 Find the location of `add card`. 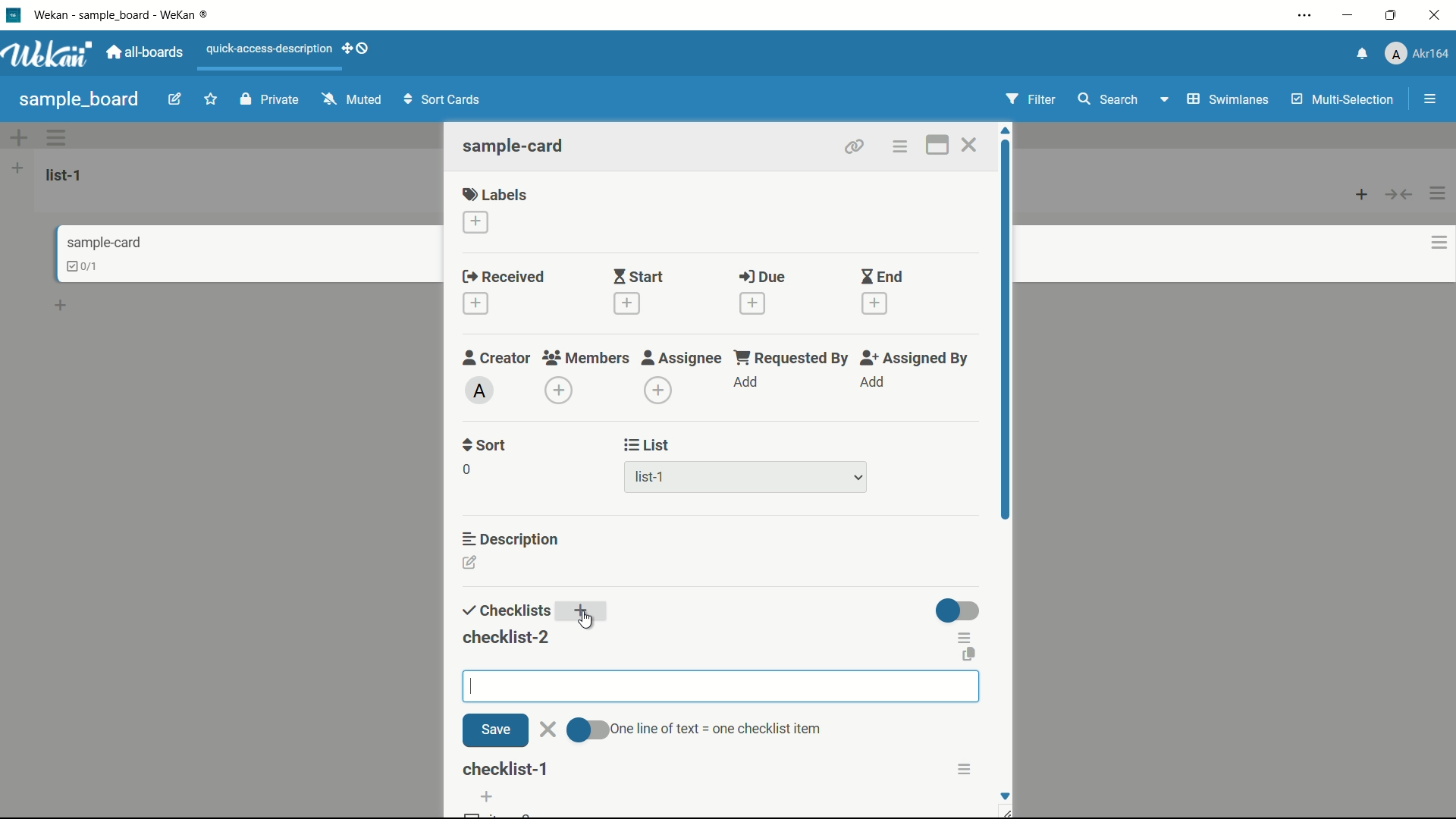

add card is located at coordinates (1362, 193).